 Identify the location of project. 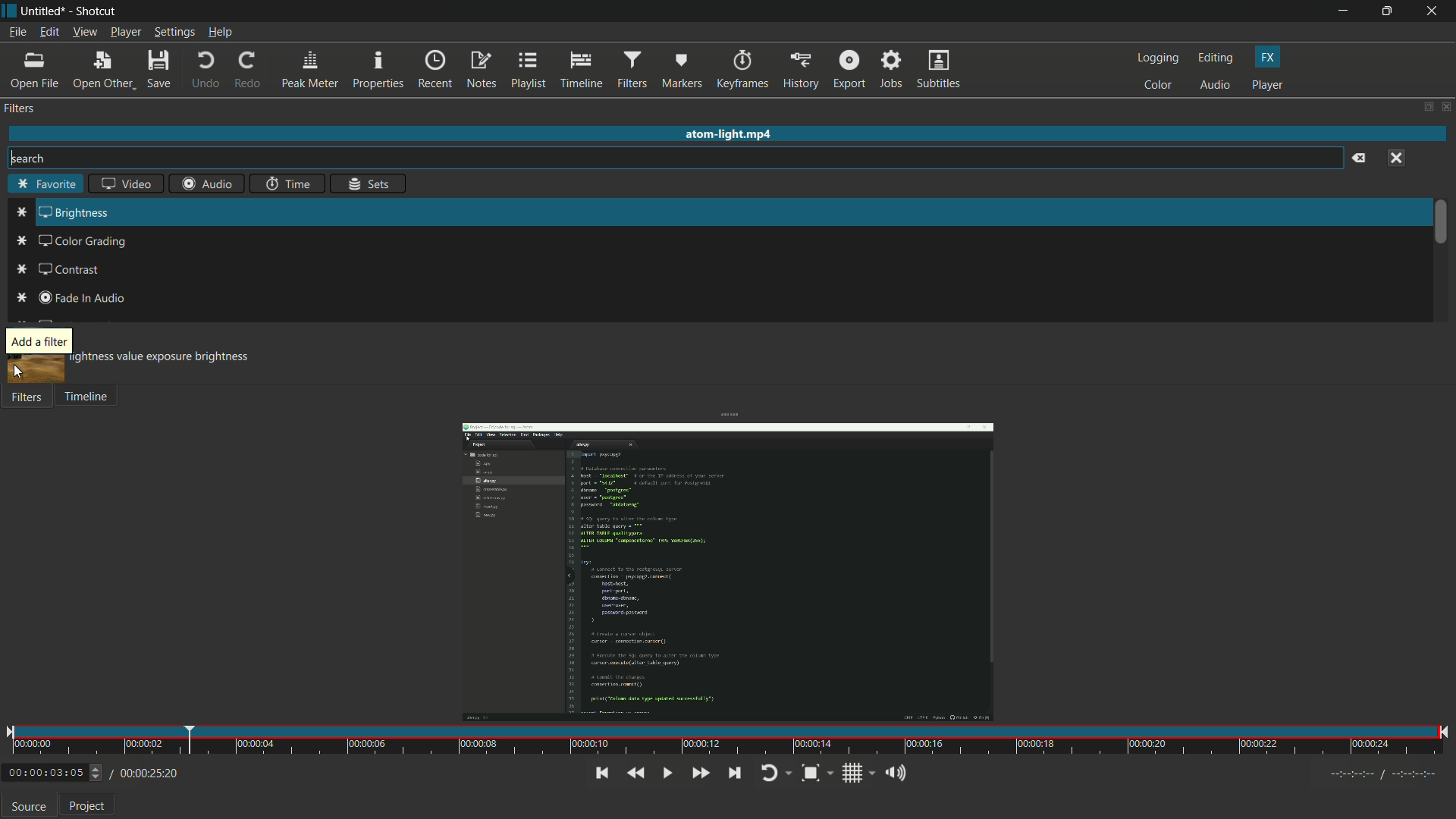
(88, 808).